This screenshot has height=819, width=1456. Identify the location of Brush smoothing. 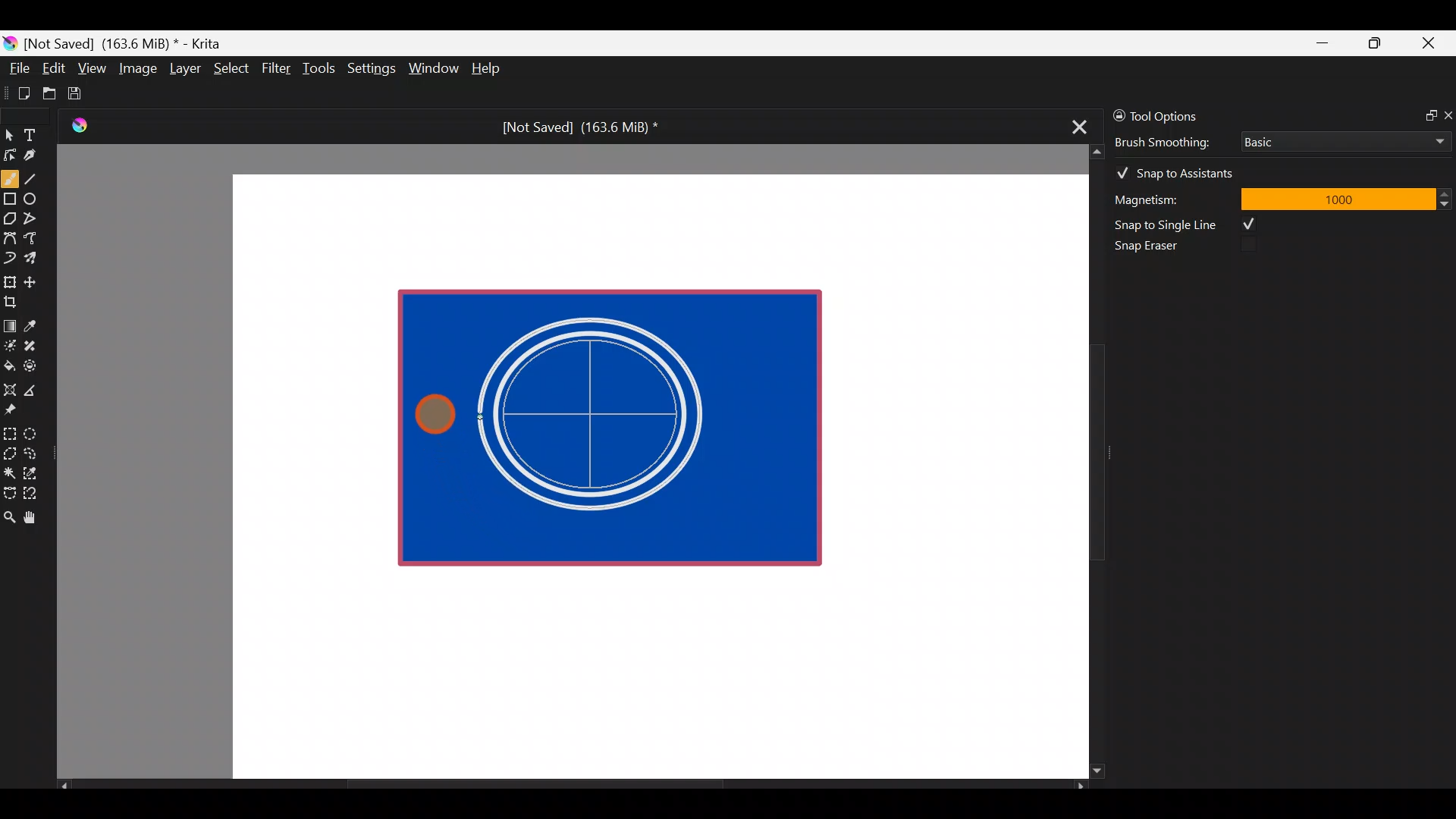
(1172, 141).